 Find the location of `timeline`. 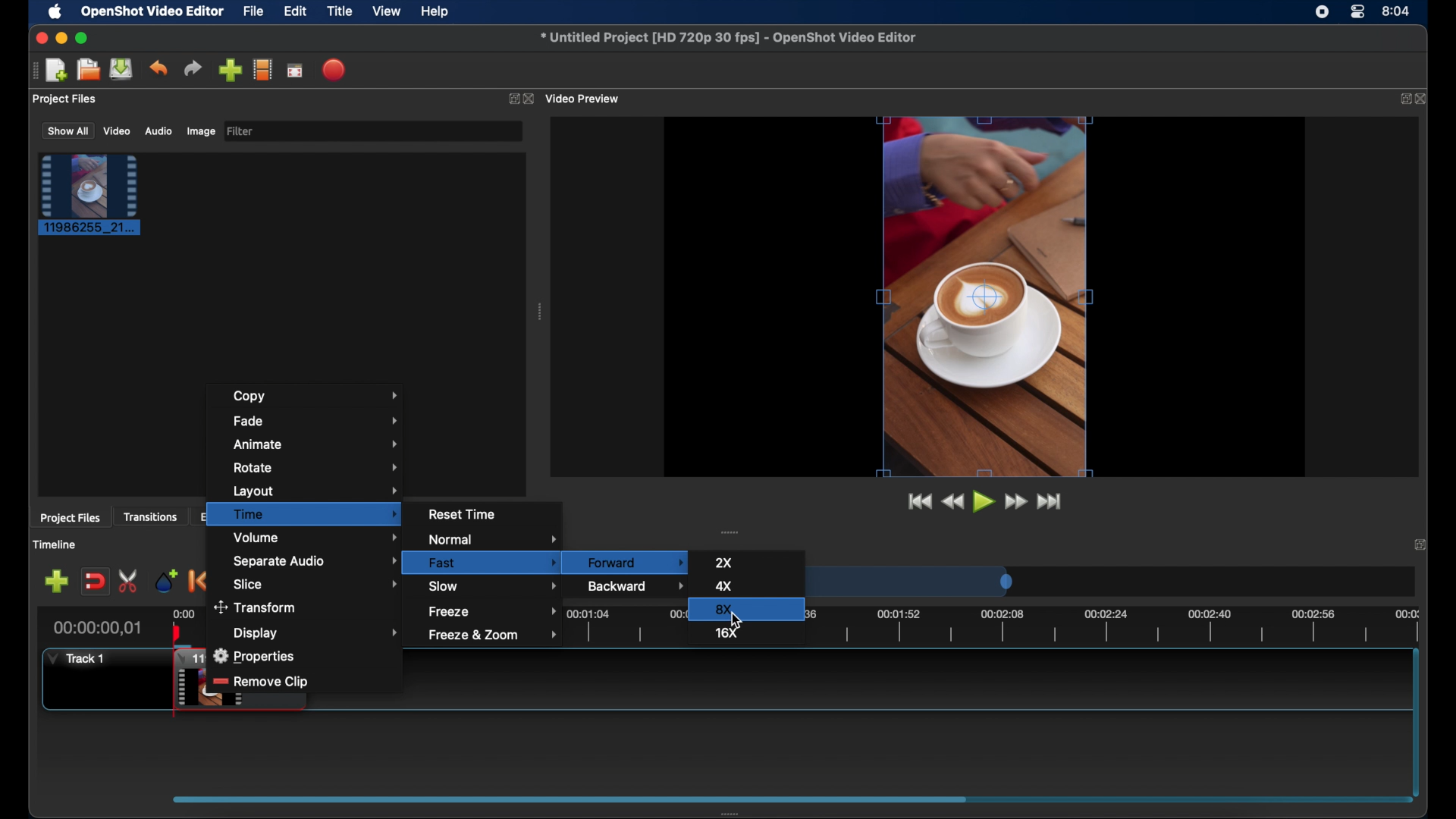

timeline is located at coordinates (1135, 624).